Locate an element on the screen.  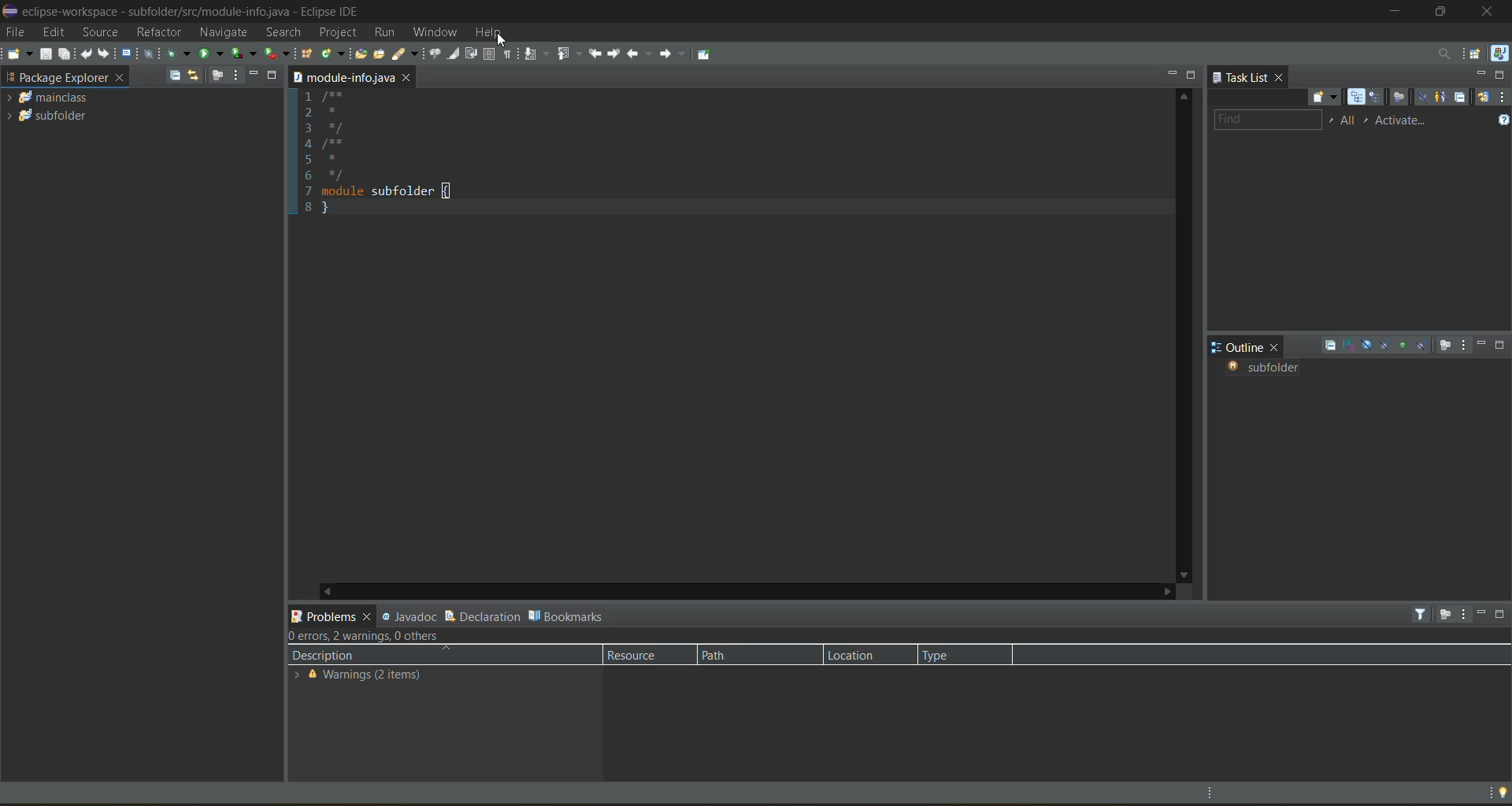
search is located at coordinates (283, 32).